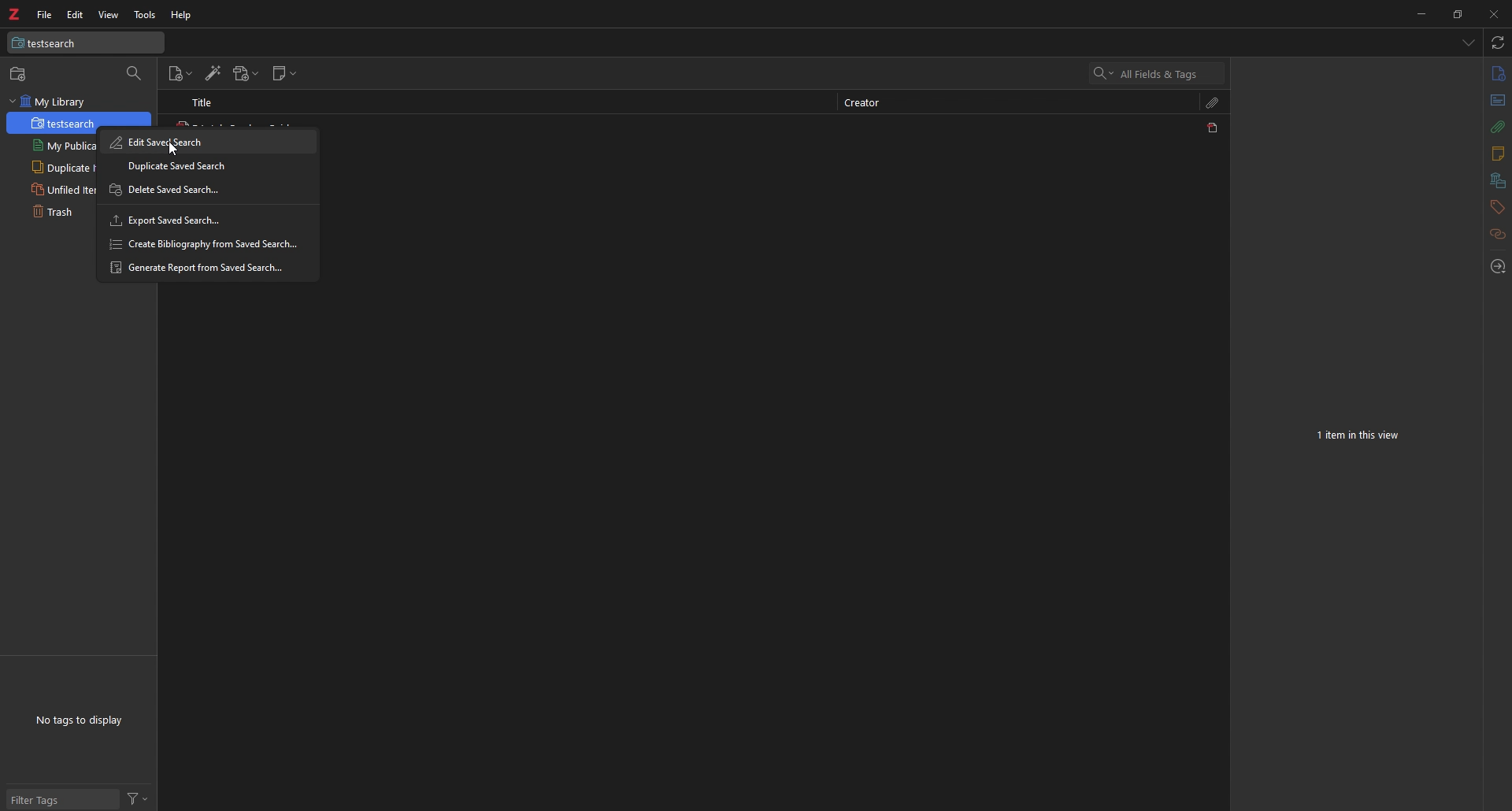 The width and height of the screenshot is (1512, 811). What do you see at coordinates (76, 15) in the screenshot?
I see `edit` at bounding box center [76, 15].